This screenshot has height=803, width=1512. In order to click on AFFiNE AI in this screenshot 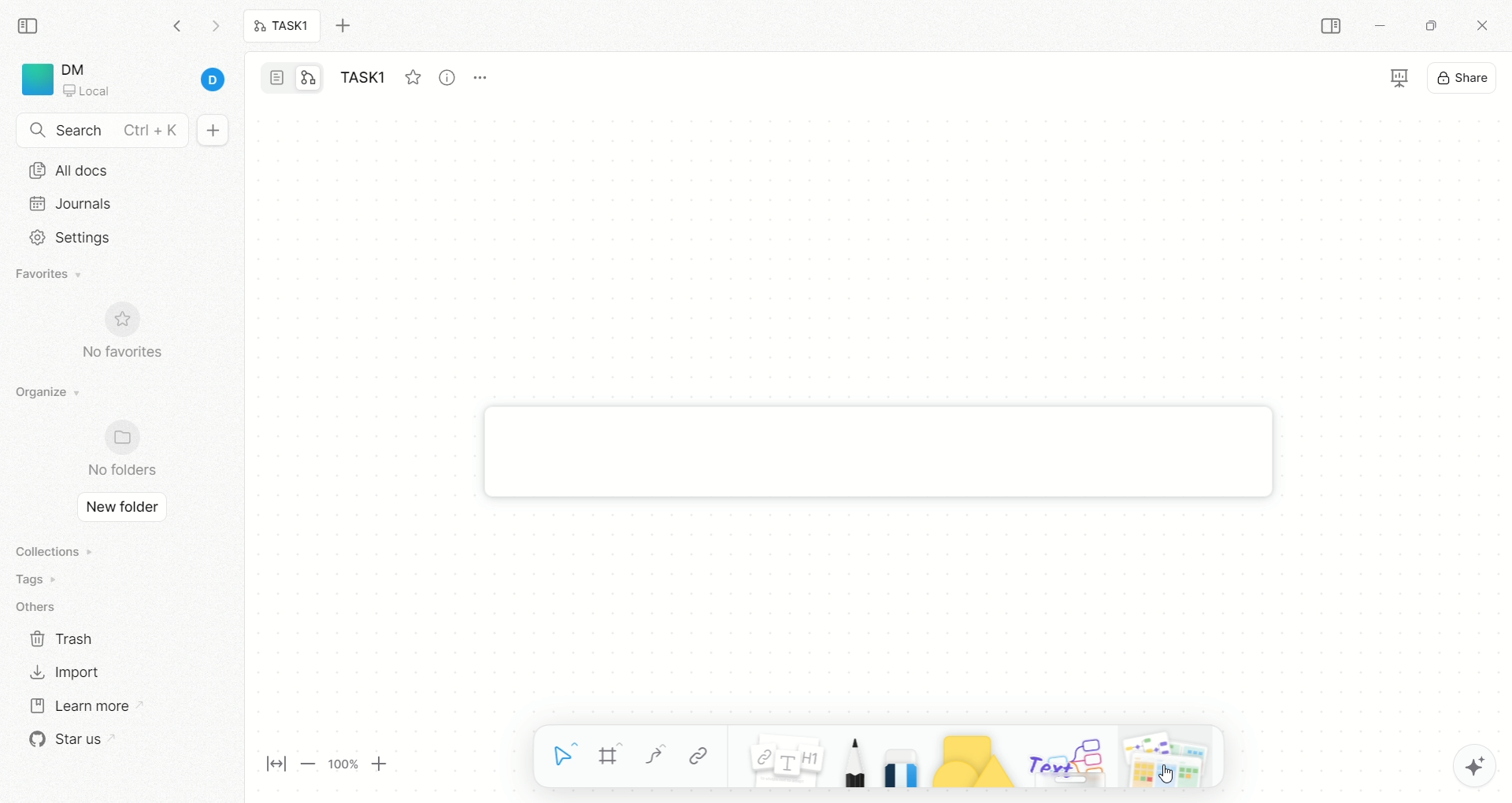, I will do `click(1458, 762)`.